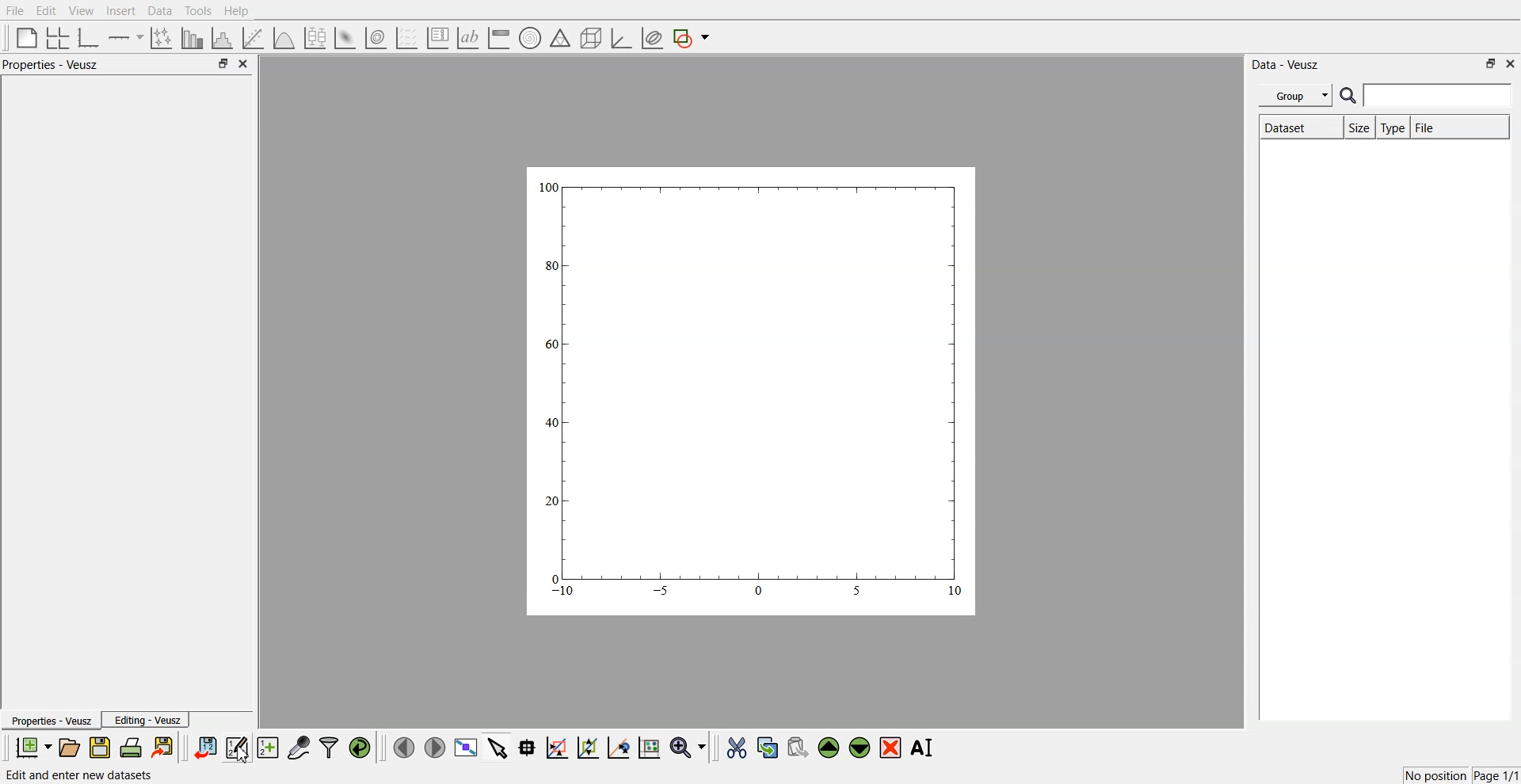  Describe the element at coordinates (80, 11) in the screenshot. I see `View` at that location.